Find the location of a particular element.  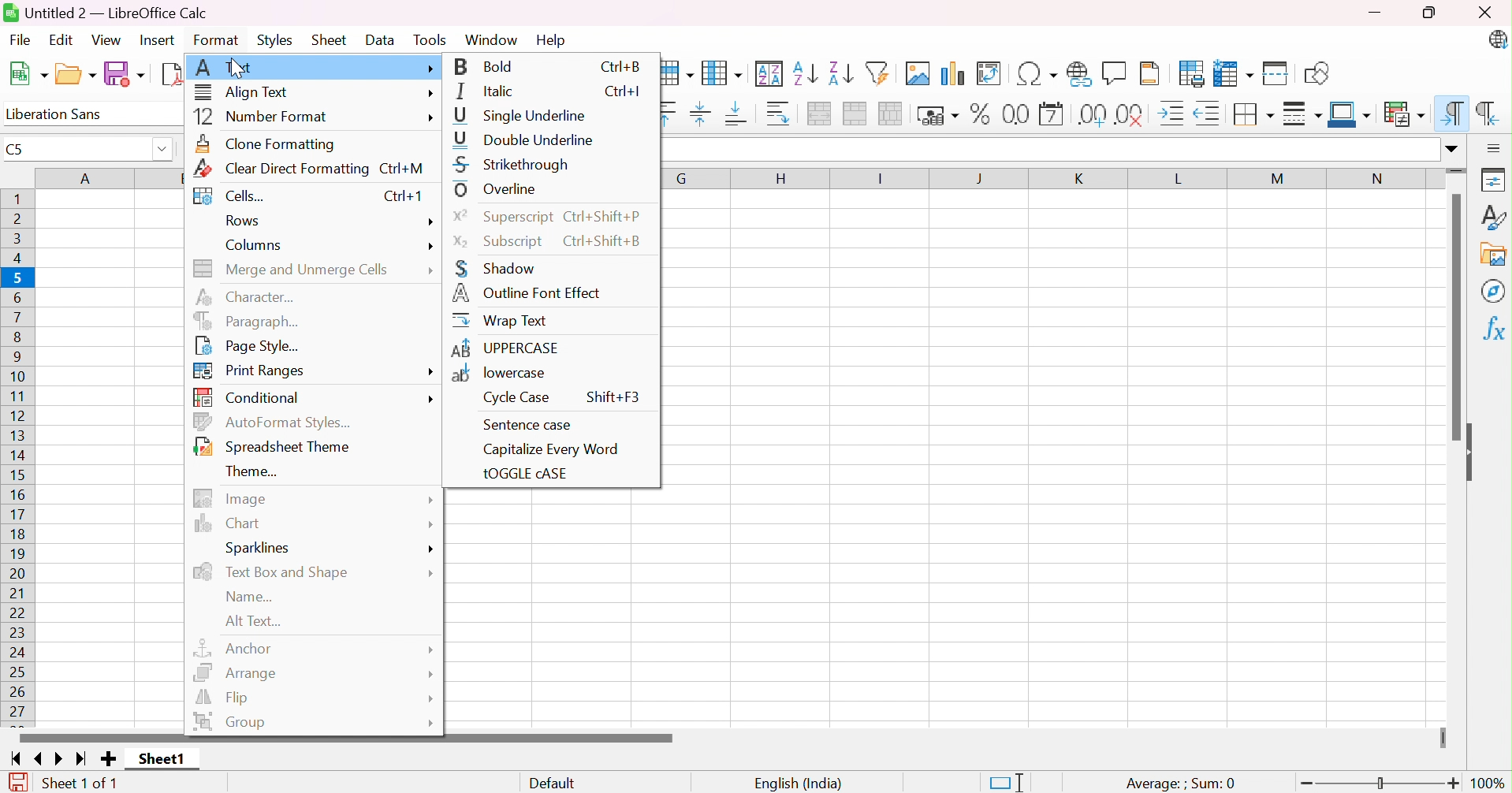

more is located at coordinates (434, 399).